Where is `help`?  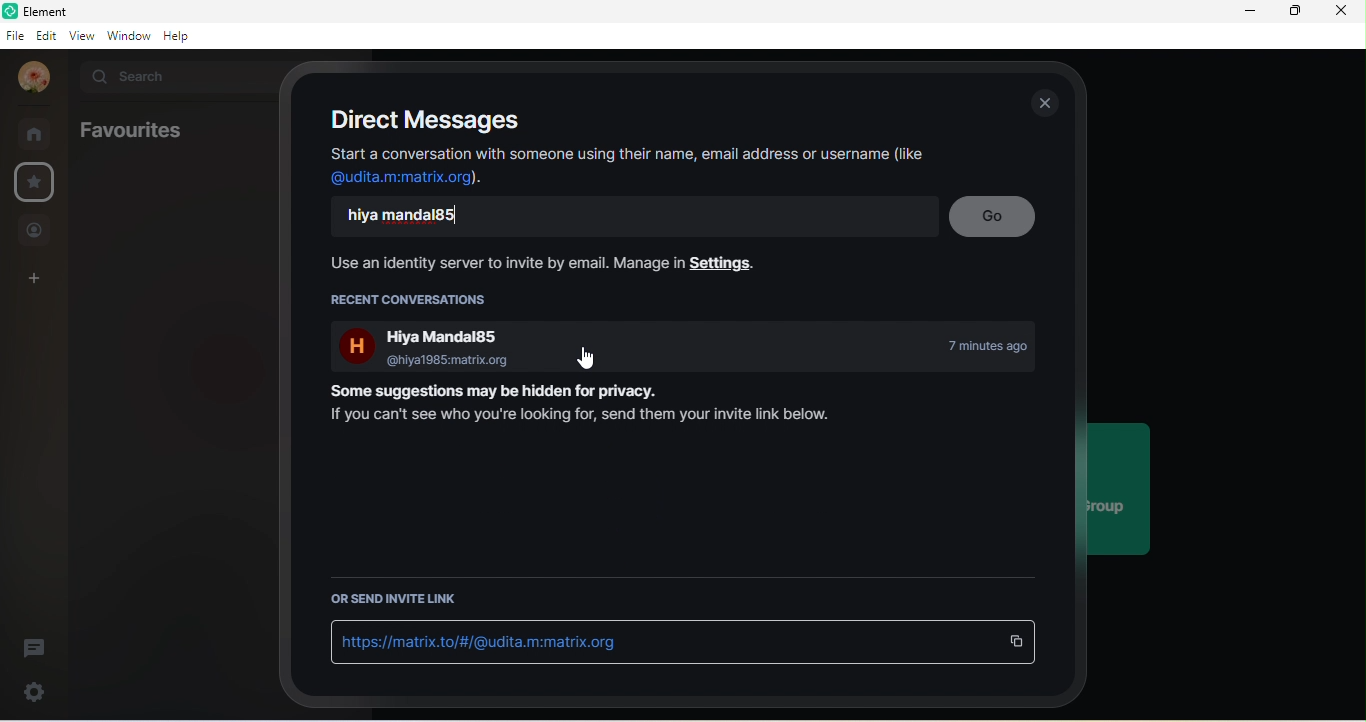
help is located at coordinates (183, 36).